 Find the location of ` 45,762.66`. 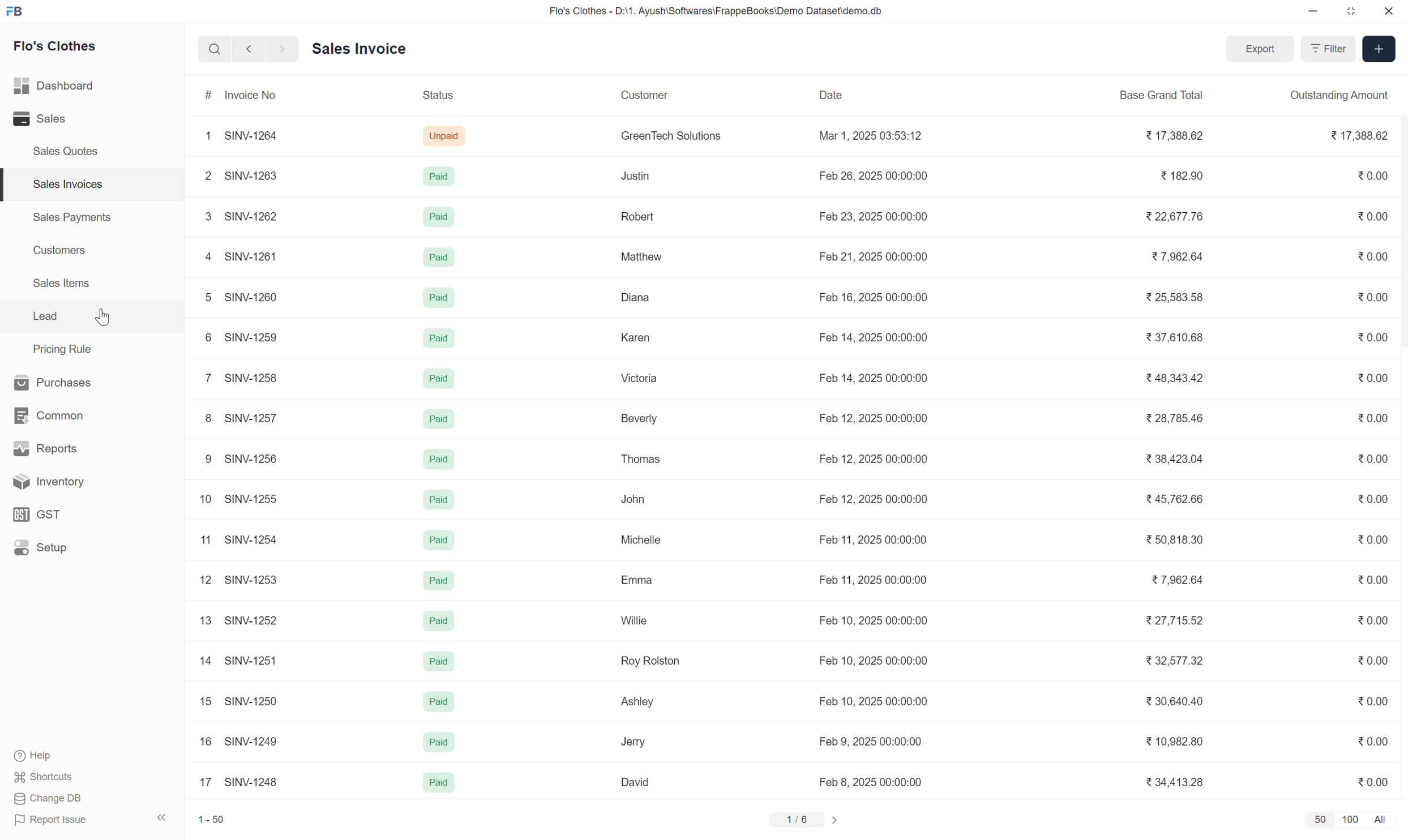

 45,762.66 is located at coordinates (1172, 500).